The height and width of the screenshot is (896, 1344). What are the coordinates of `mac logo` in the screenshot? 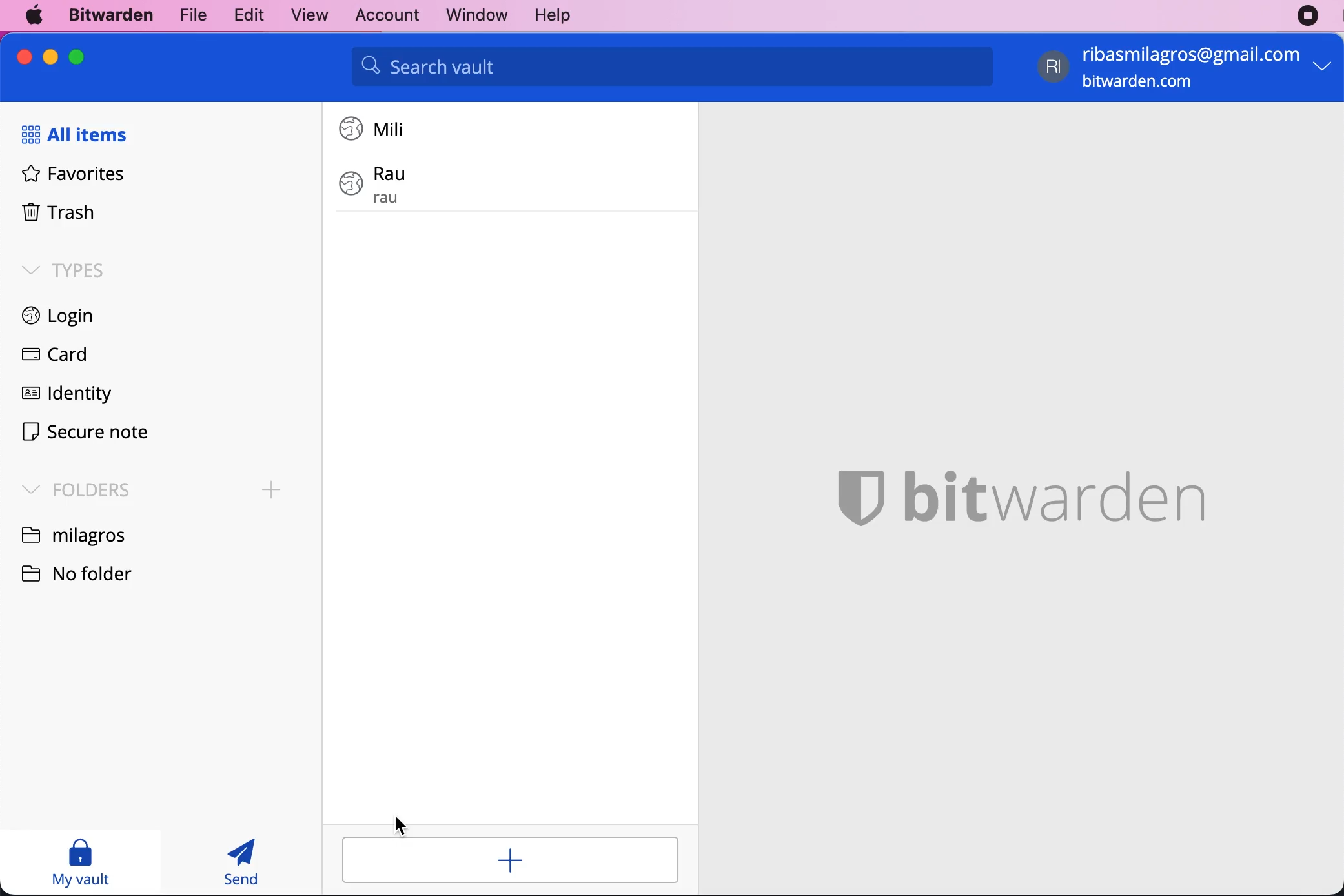 It's located at (36, 15).